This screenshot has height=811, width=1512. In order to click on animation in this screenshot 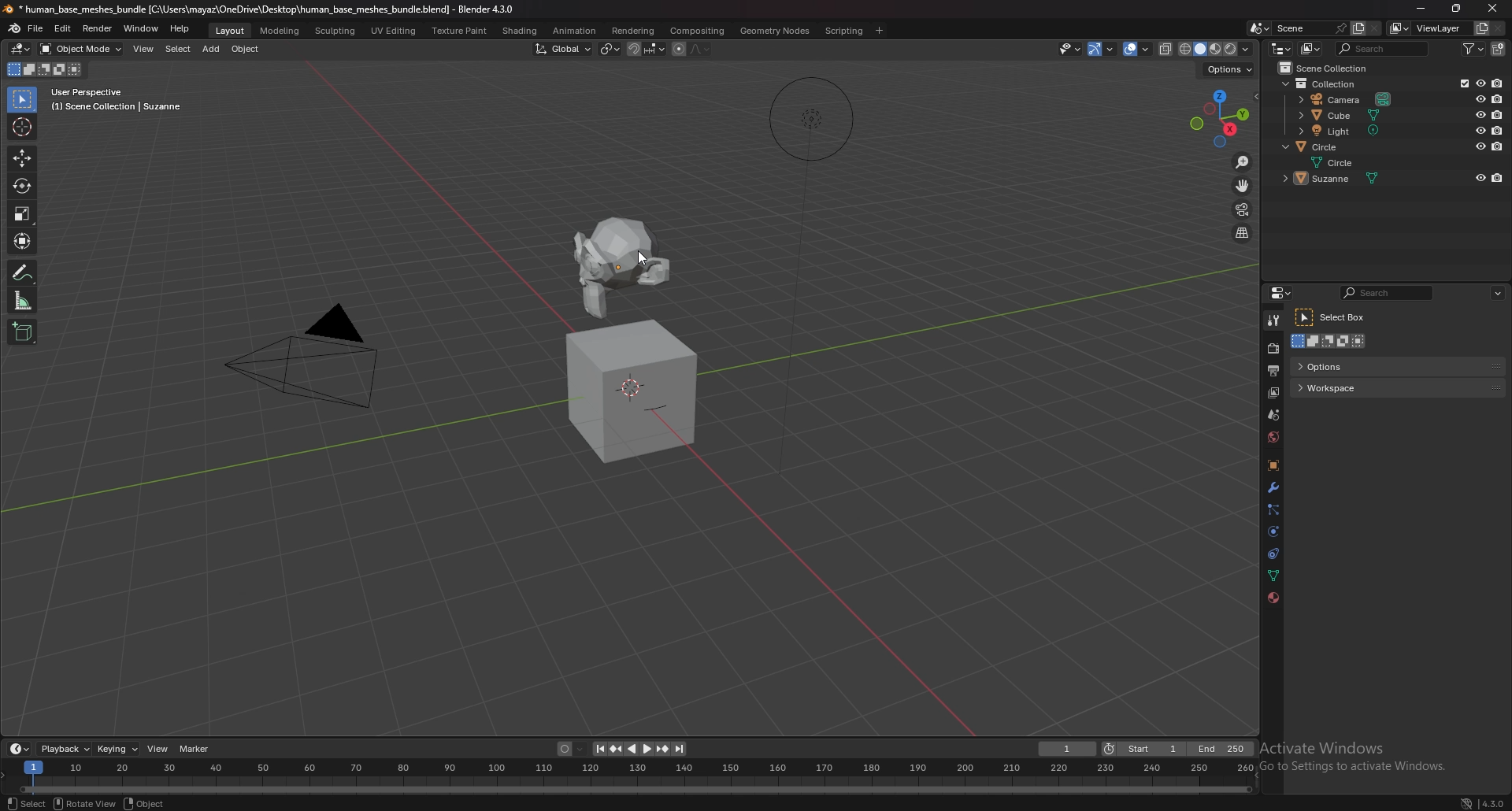, I will do `click(575, 31)`.